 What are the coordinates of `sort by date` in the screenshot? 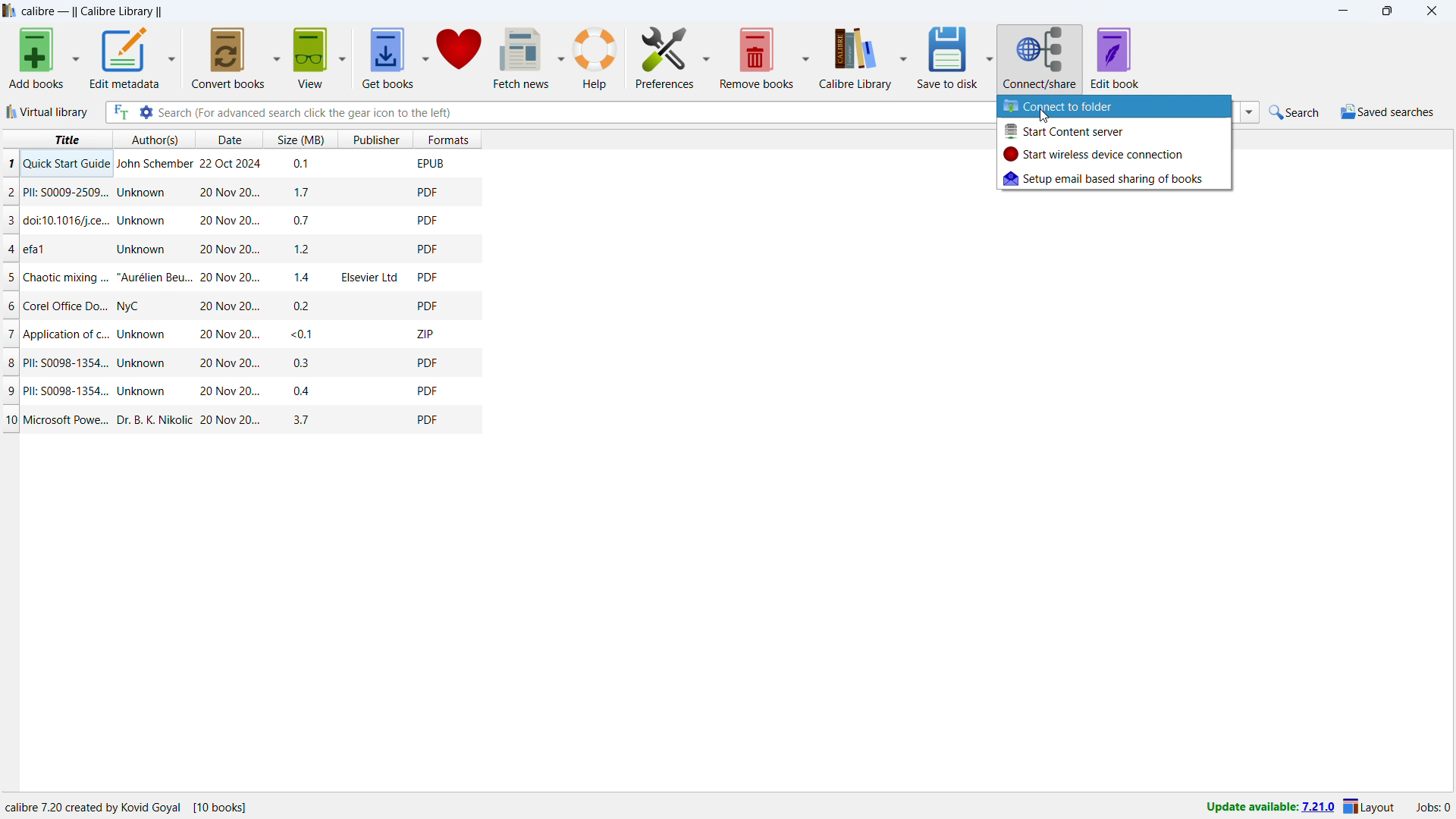 It's located at (229, 139).